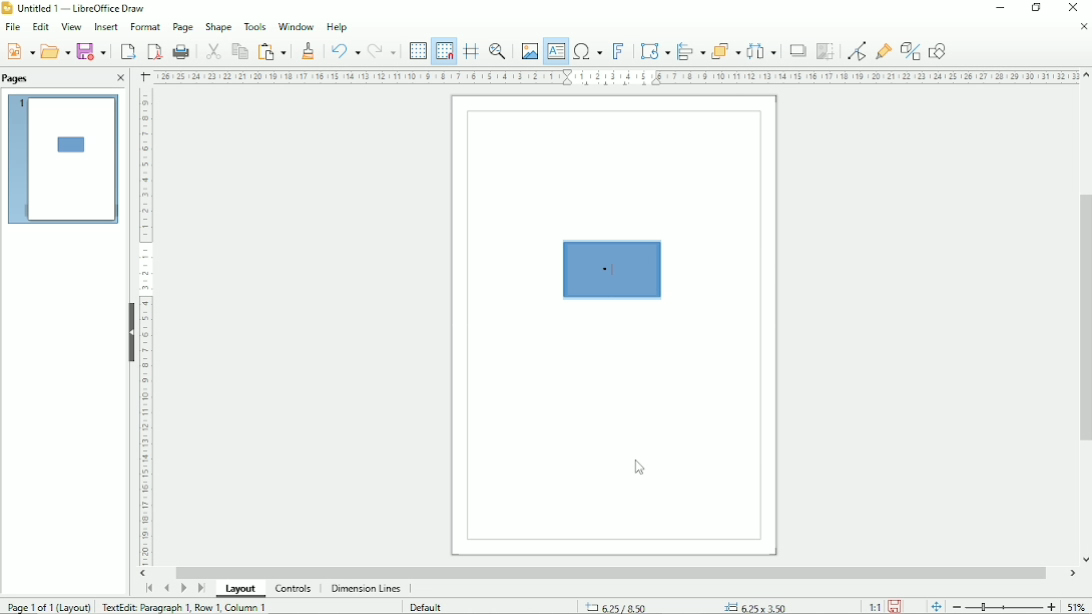 The width and height of the screenshot is (1092, 614). I want to click on Page 1 of 1, so click(49, 606).